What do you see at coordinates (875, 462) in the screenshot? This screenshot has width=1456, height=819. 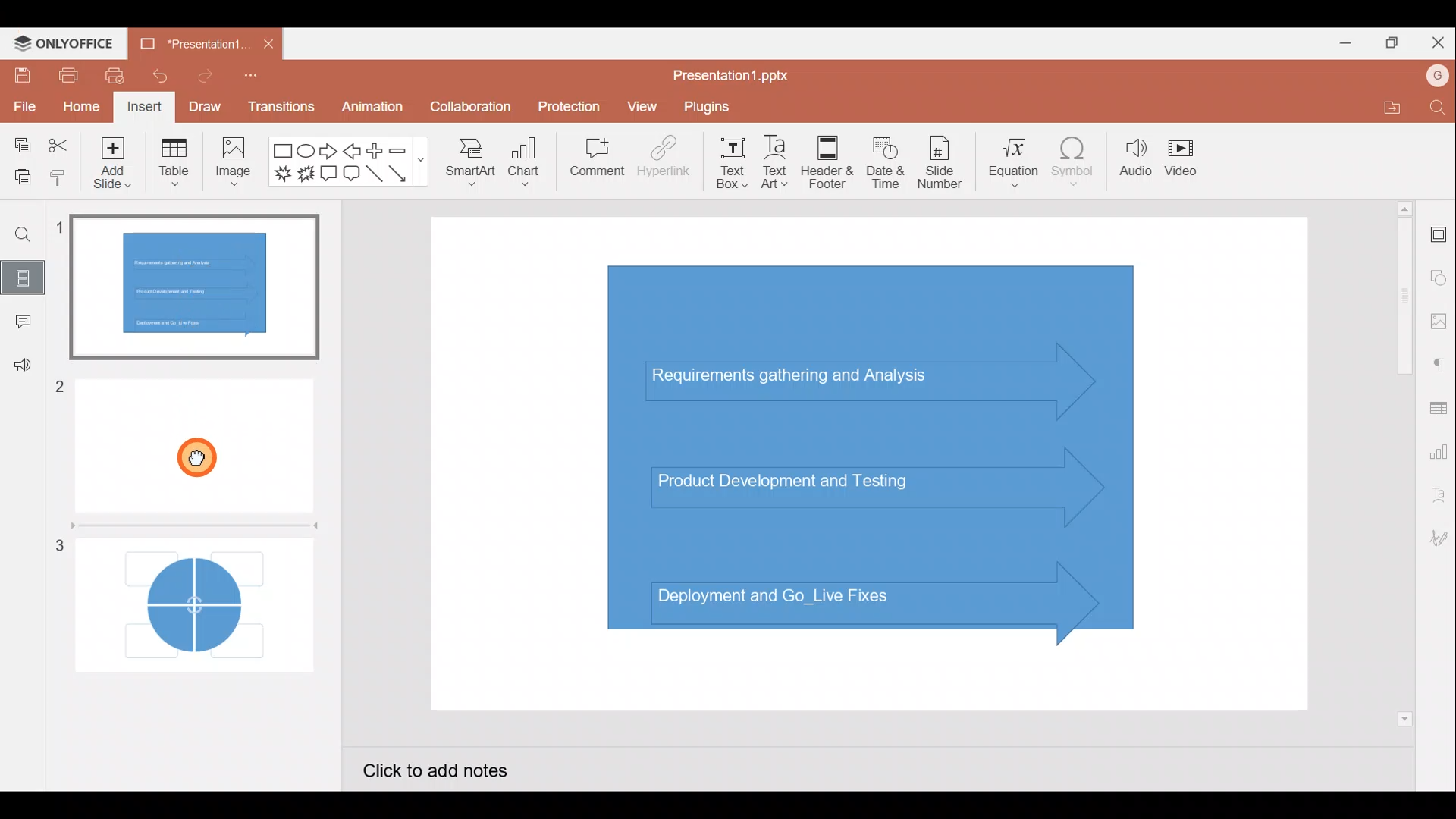 I see `Presentation slide` at bounding box center [875, 462].